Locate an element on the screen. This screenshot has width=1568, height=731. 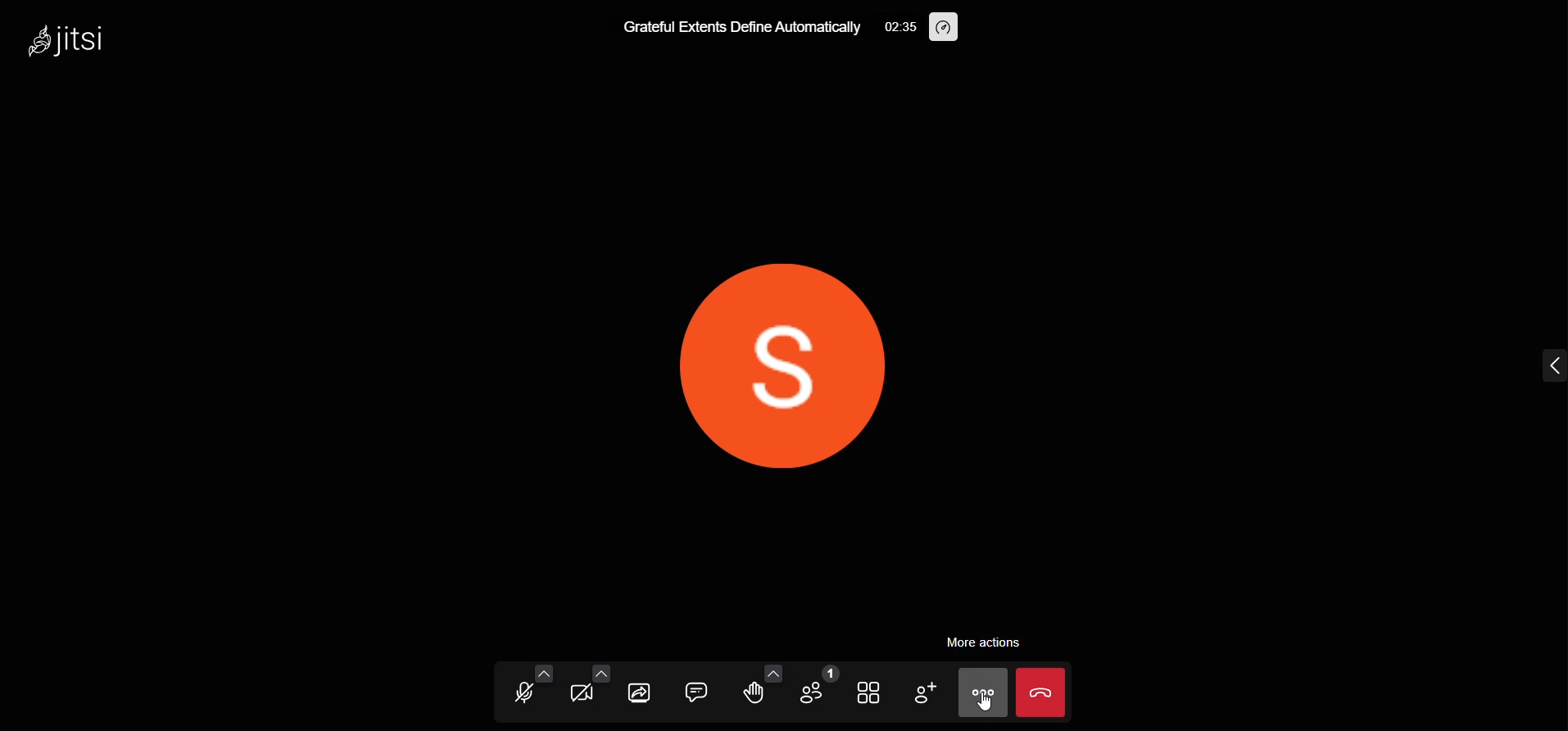
cursor is located at coordinates (980, 705).